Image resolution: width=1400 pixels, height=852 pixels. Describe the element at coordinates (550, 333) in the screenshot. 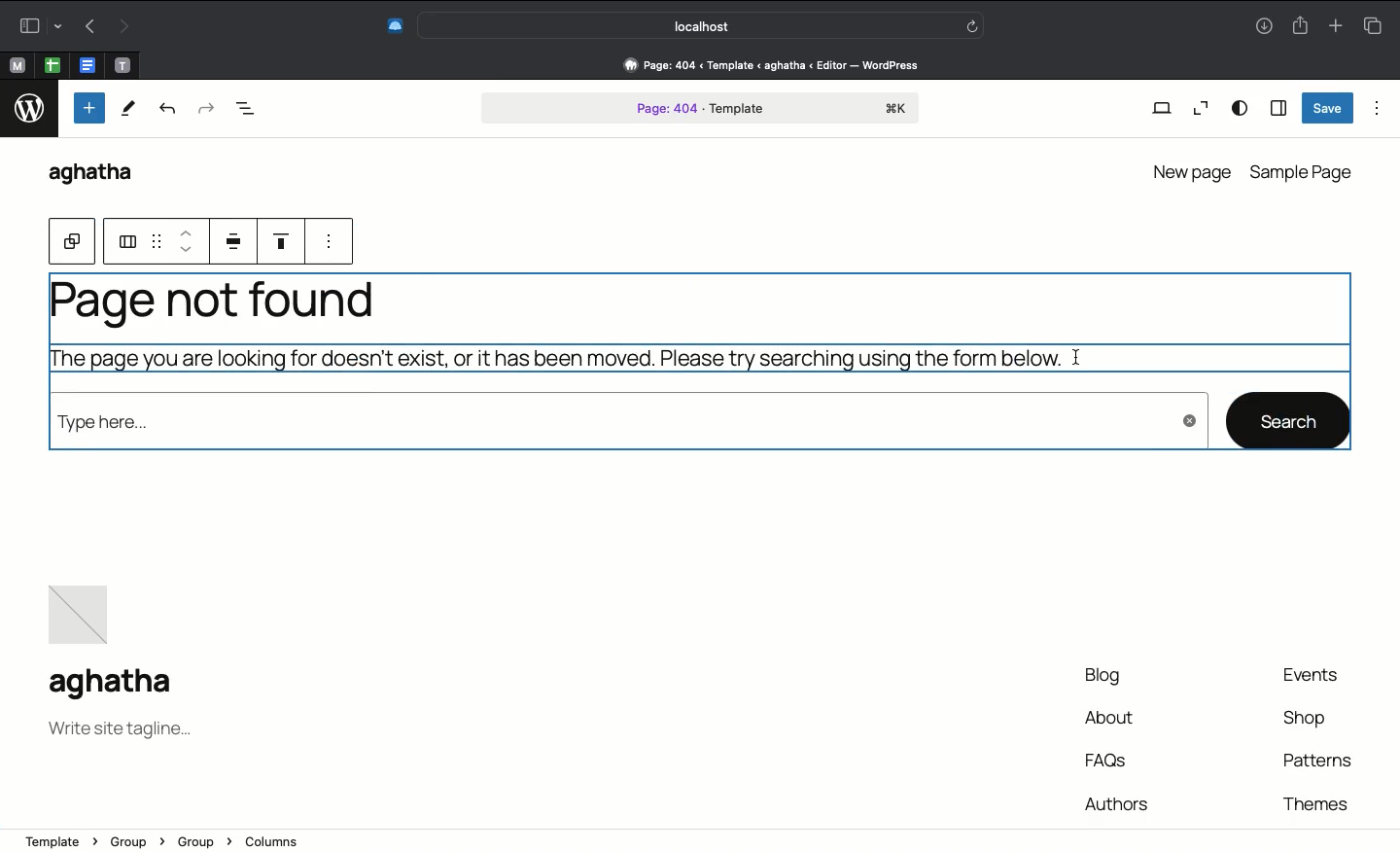

I see `Page not found` at that location.